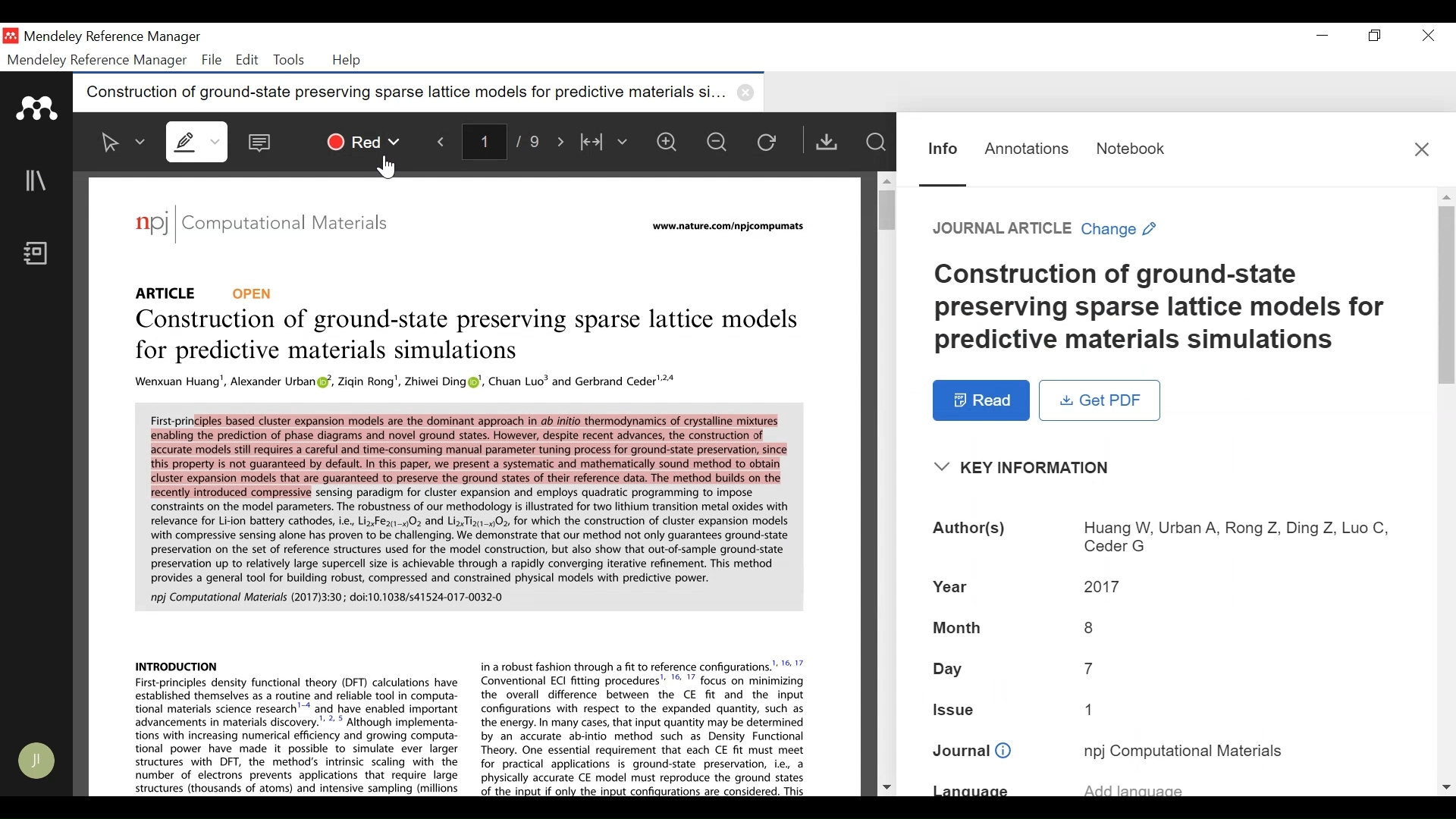  I want to click on Mendeley Desktop Icon, so click(11, 35).